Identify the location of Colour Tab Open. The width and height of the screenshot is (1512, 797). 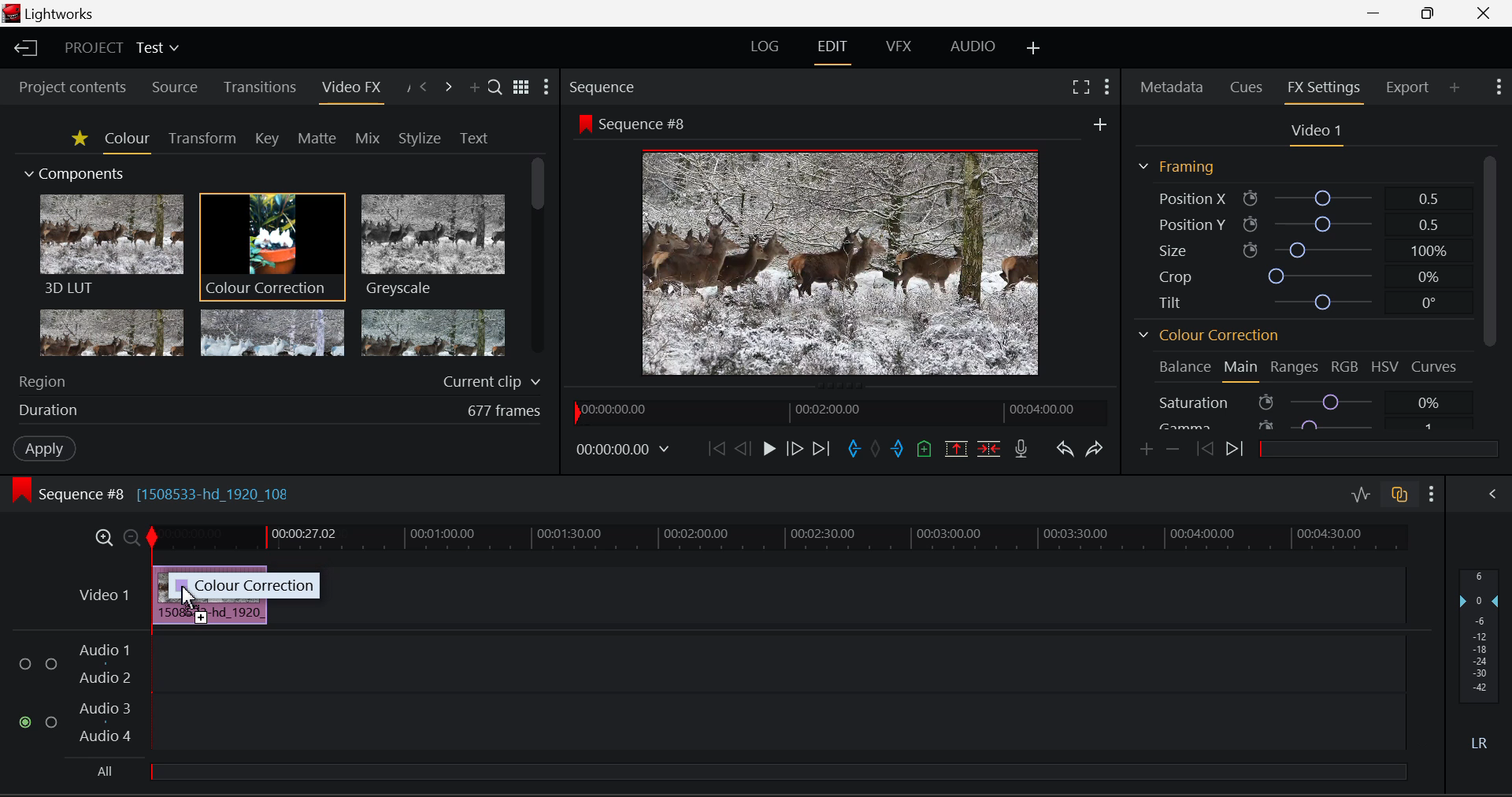
(127, 140).